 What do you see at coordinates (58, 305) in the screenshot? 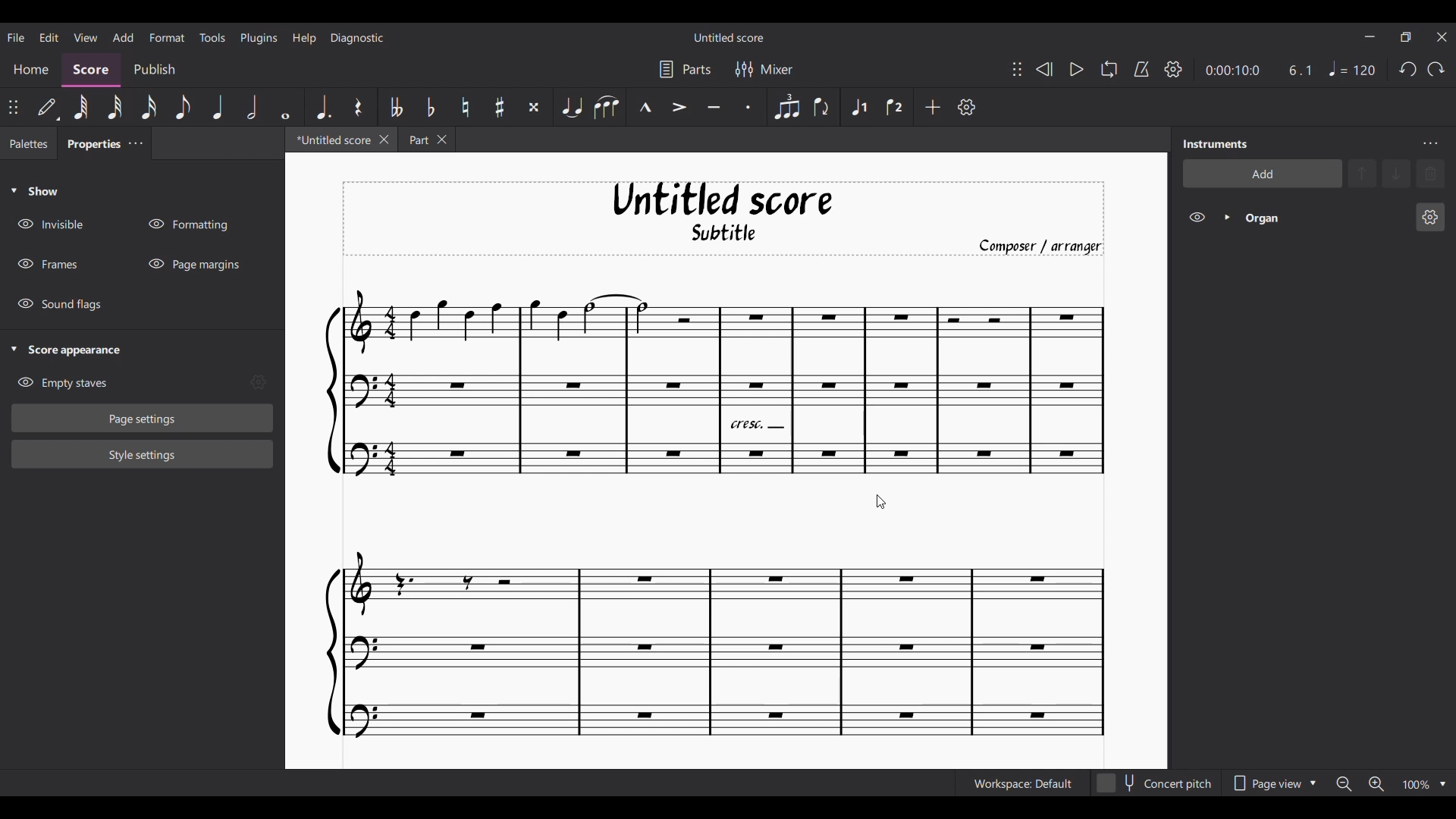
I see `Hide Sound flags` at bounding box center [58, 305].